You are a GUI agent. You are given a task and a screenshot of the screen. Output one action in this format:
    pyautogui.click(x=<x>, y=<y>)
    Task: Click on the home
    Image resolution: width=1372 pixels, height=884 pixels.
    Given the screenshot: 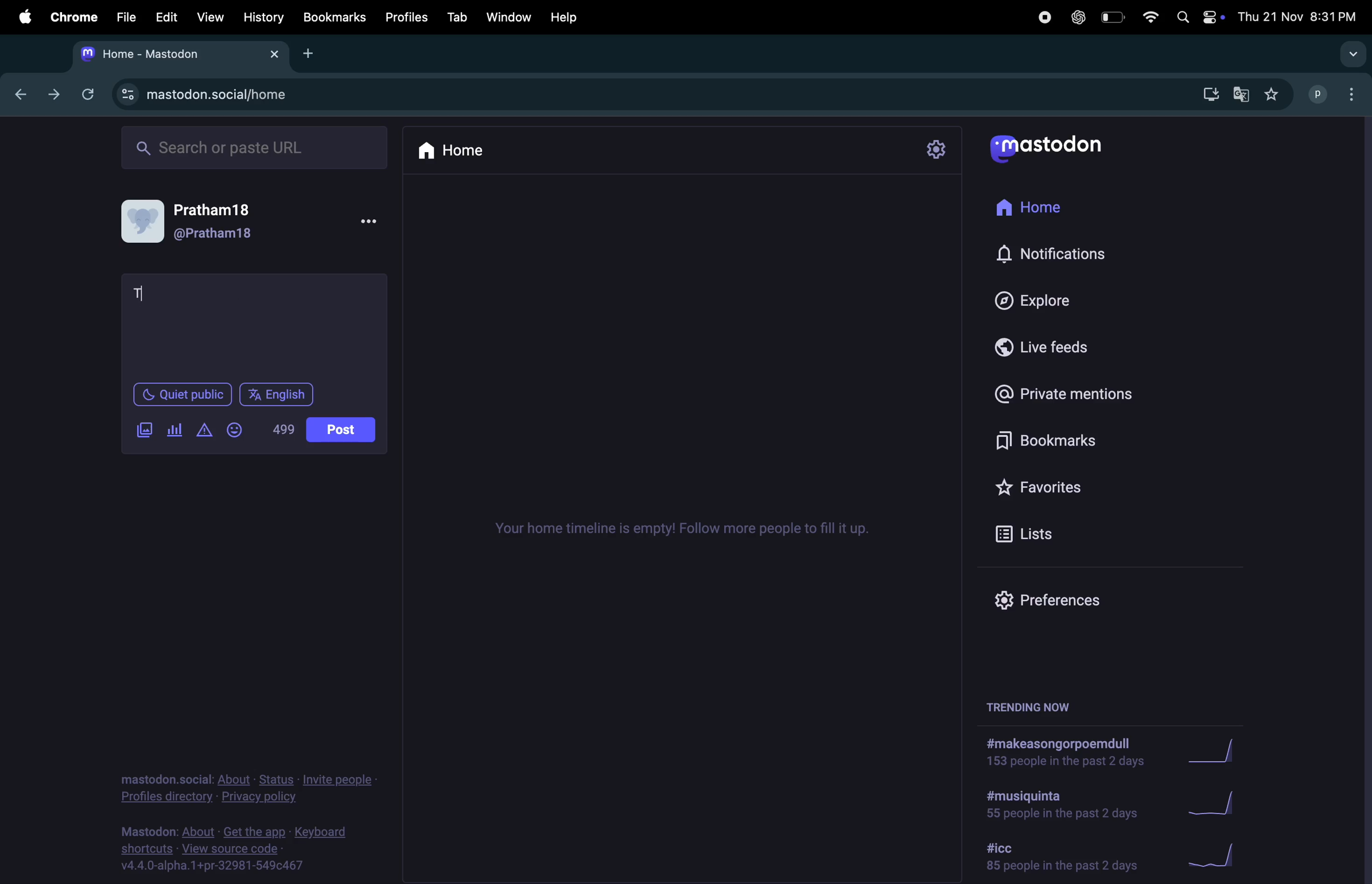 What is the action you would take?
    pyautogui.click(x=482, y=153)
    